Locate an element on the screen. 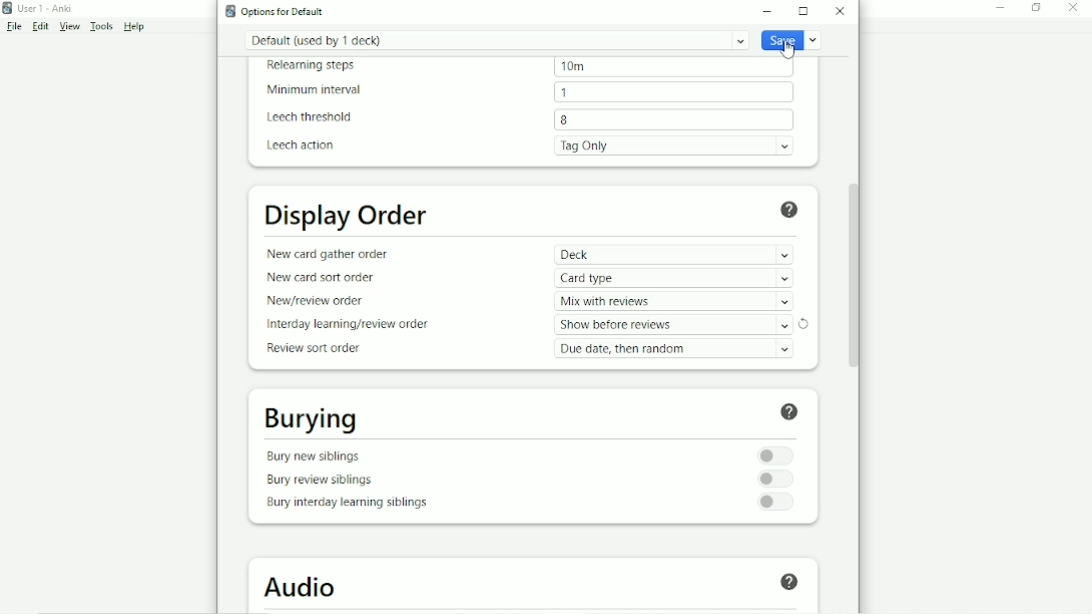  New card gather order is located at coordinates (326, 254).